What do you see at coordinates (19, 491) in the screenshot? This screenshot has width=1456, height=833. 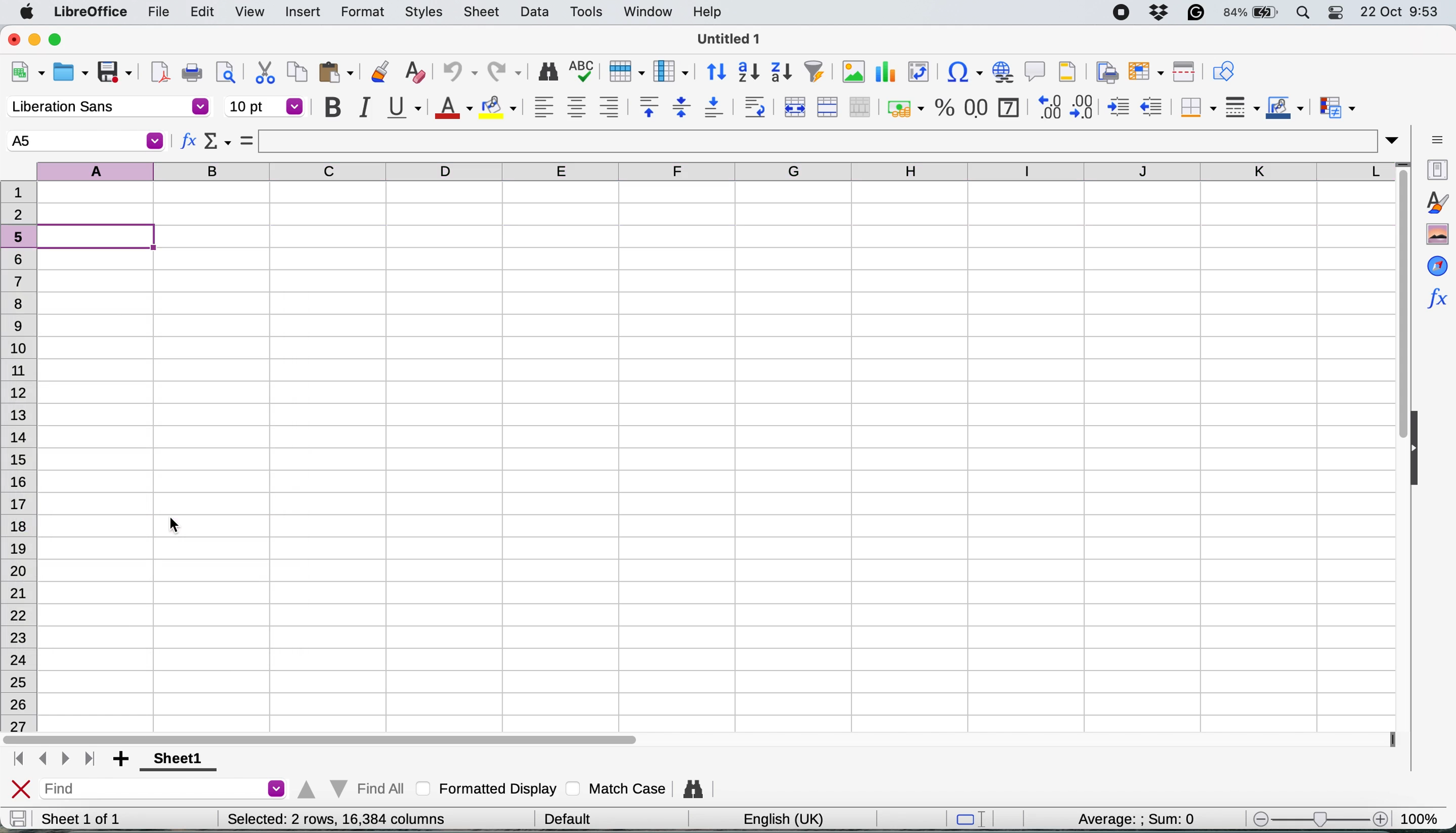 I see `rows` at bounding box center [19, 491].